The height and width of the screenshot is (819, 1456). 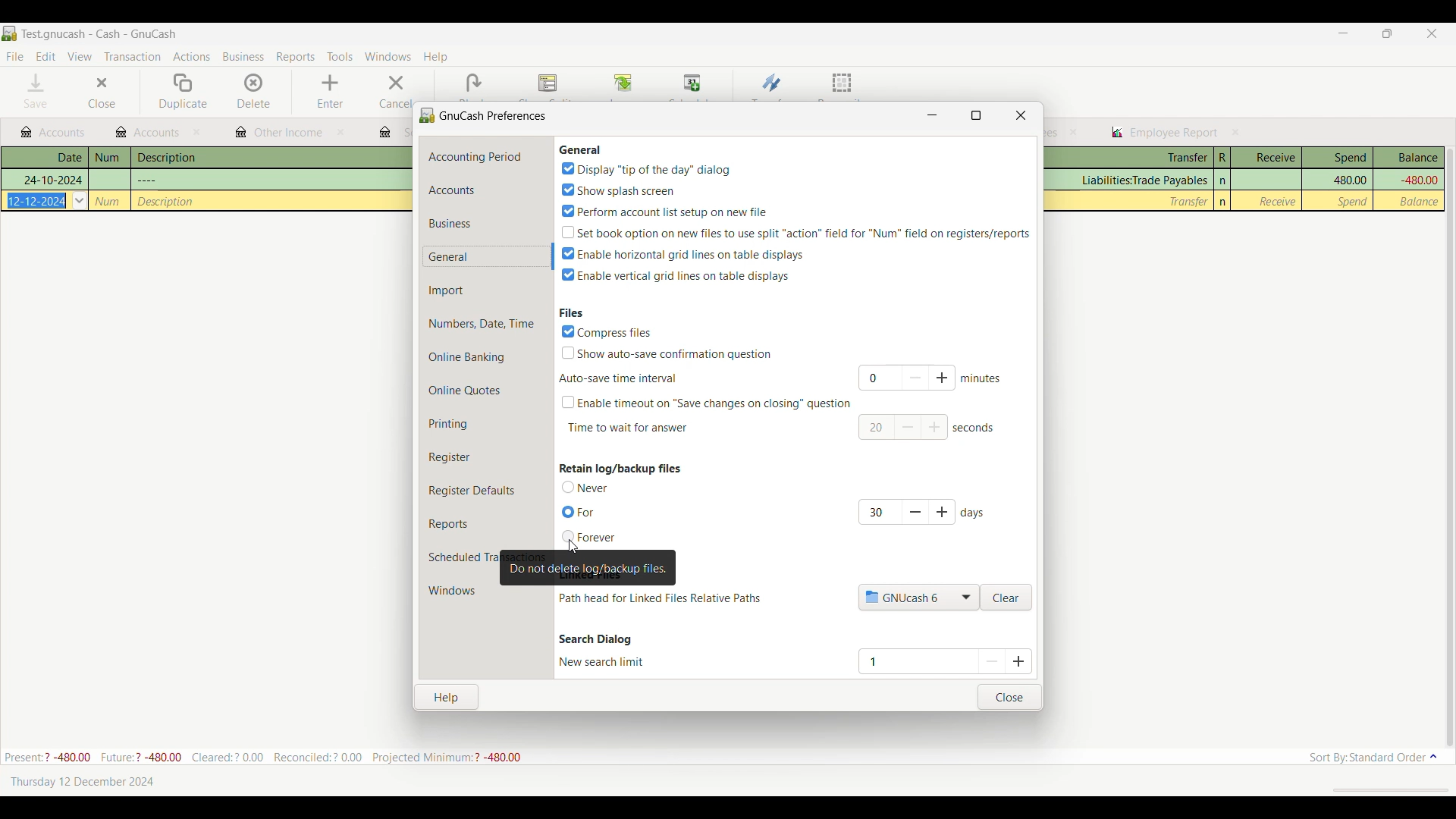 What do you see at coordinates (590, 537) in the screenshot?
I see `Forever ` at bounding box center [590, 537].